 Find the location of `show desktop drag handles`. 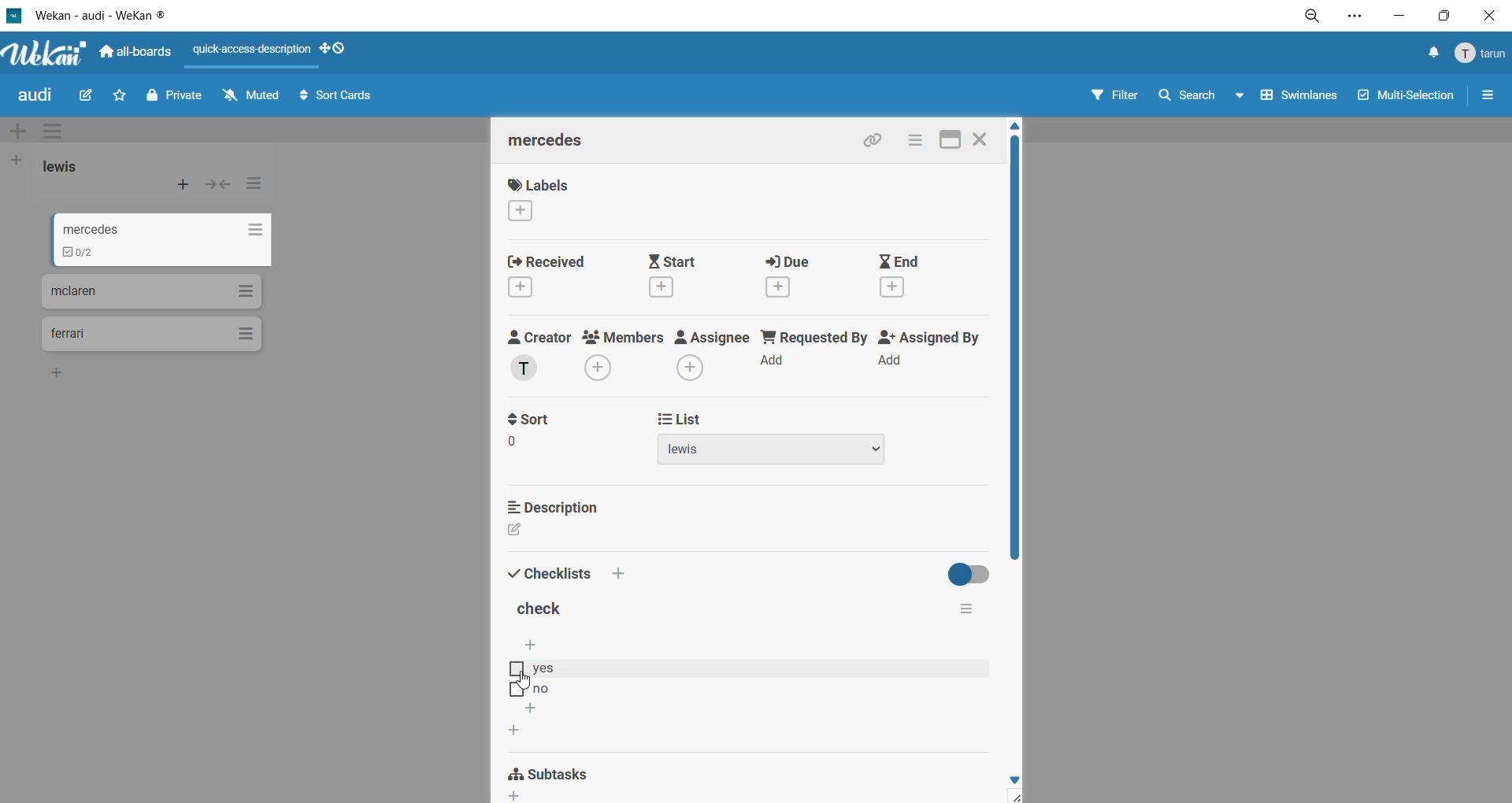

show desktop drag handles is located at coordinates (339, 50).